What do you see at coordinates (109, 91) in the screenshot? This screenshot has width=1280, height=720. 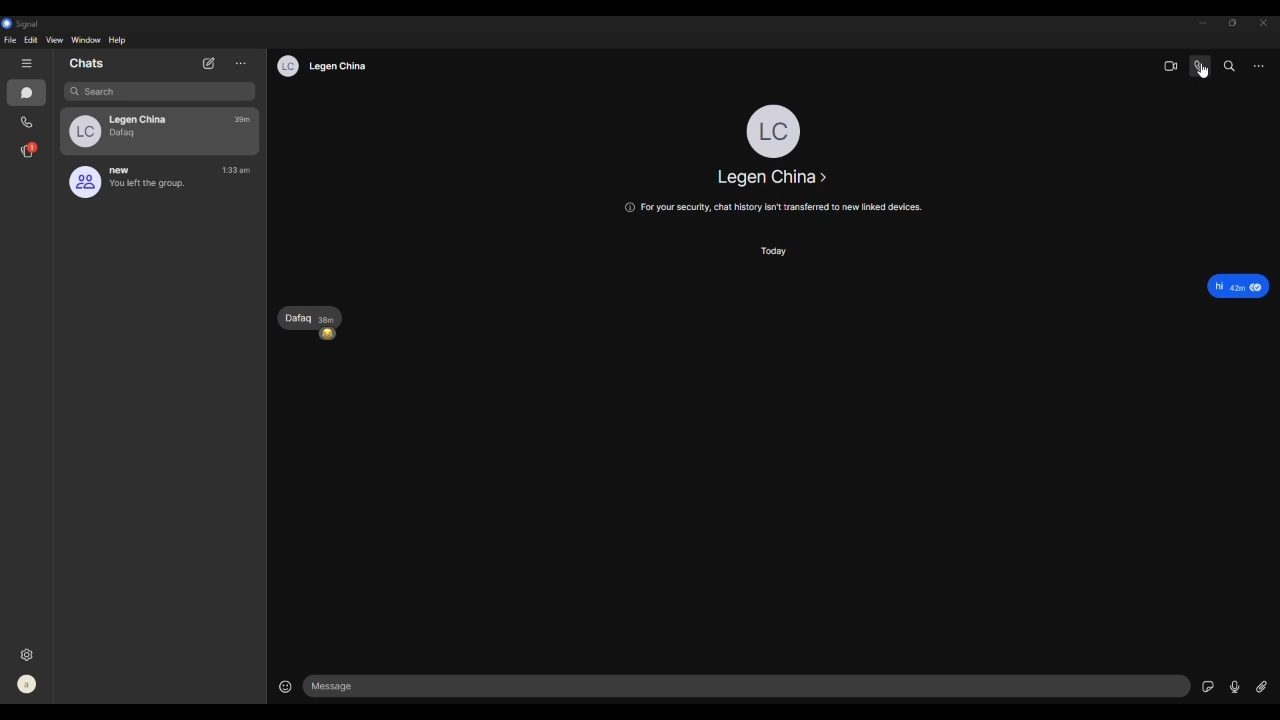 I see `search` at bounding box center [109, 91].